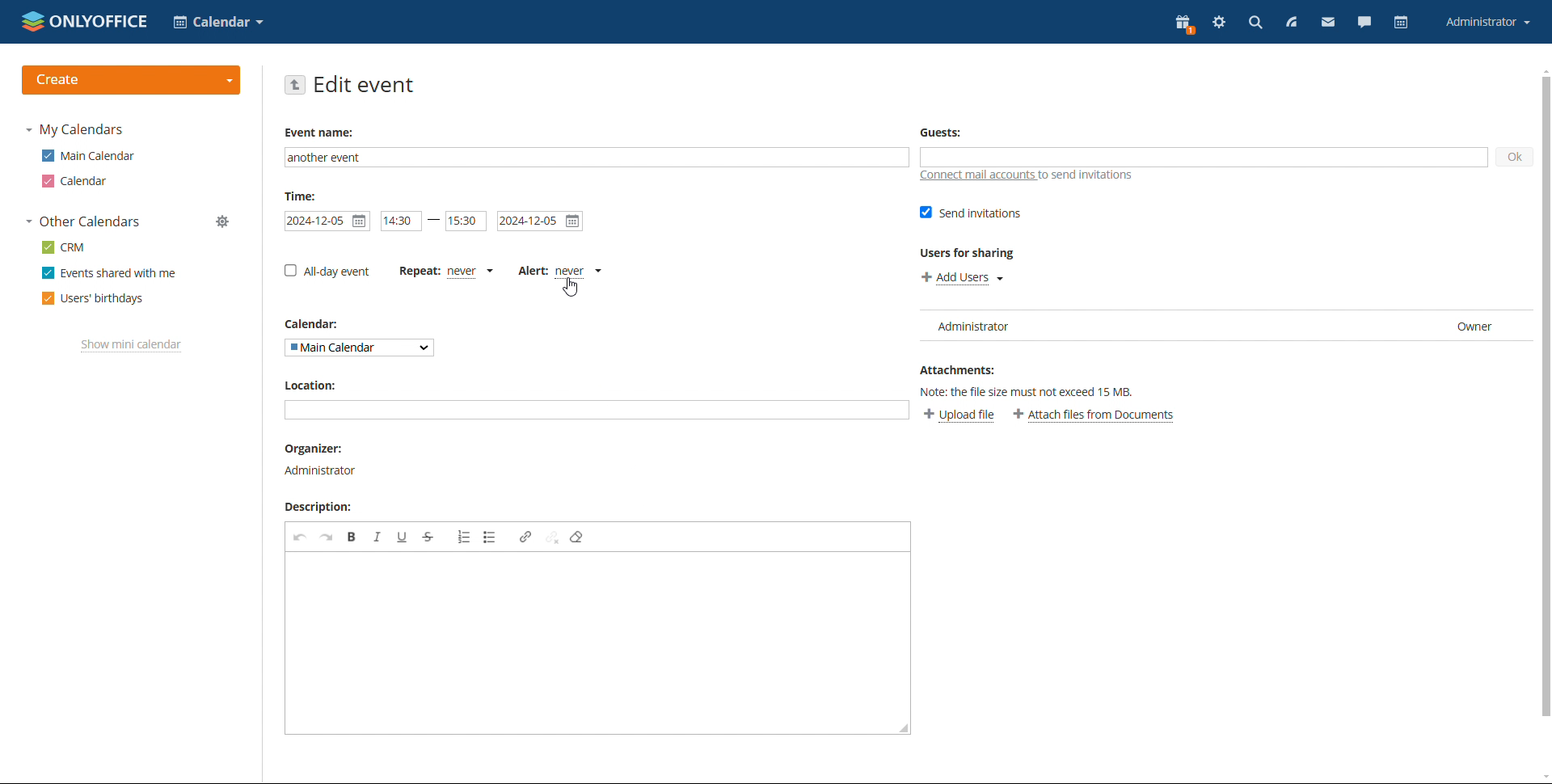  I want to click on set alert, so click(560, 272).